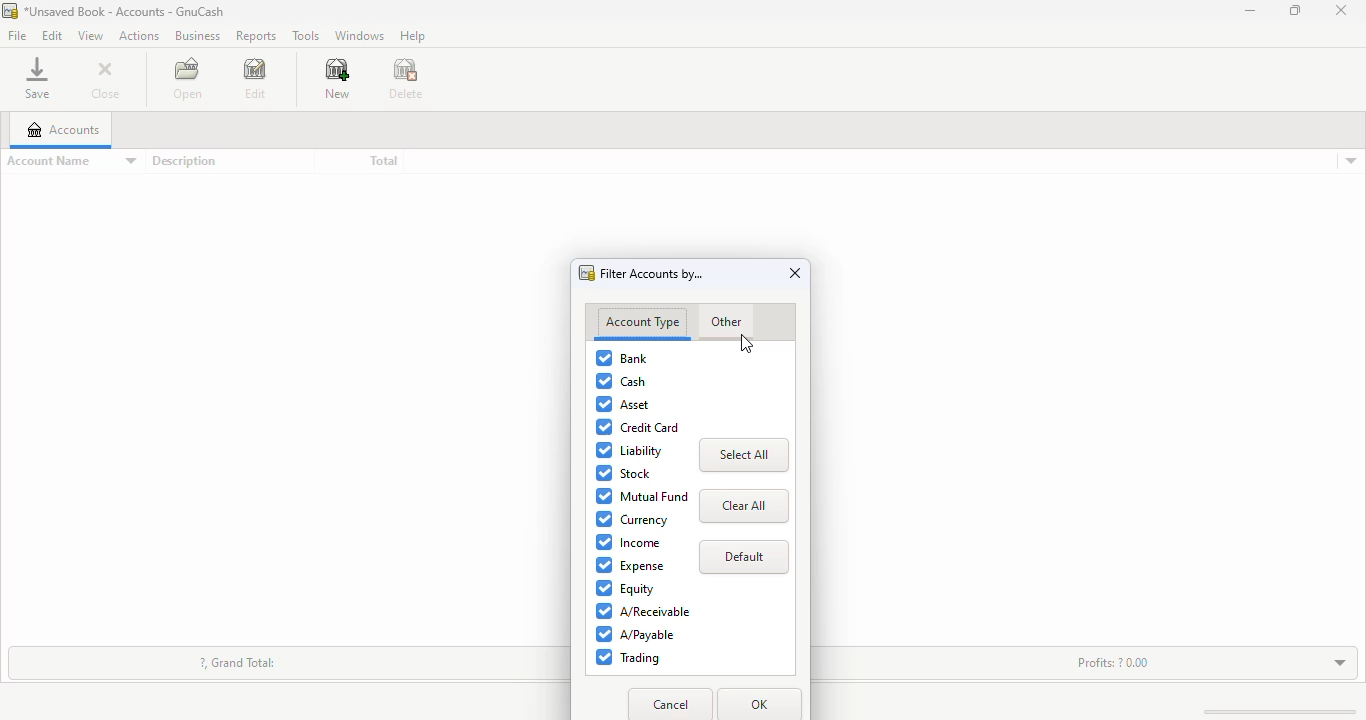  Describe the element at coordinates (625, 473) in the screenshot. I see `stock` at that location.